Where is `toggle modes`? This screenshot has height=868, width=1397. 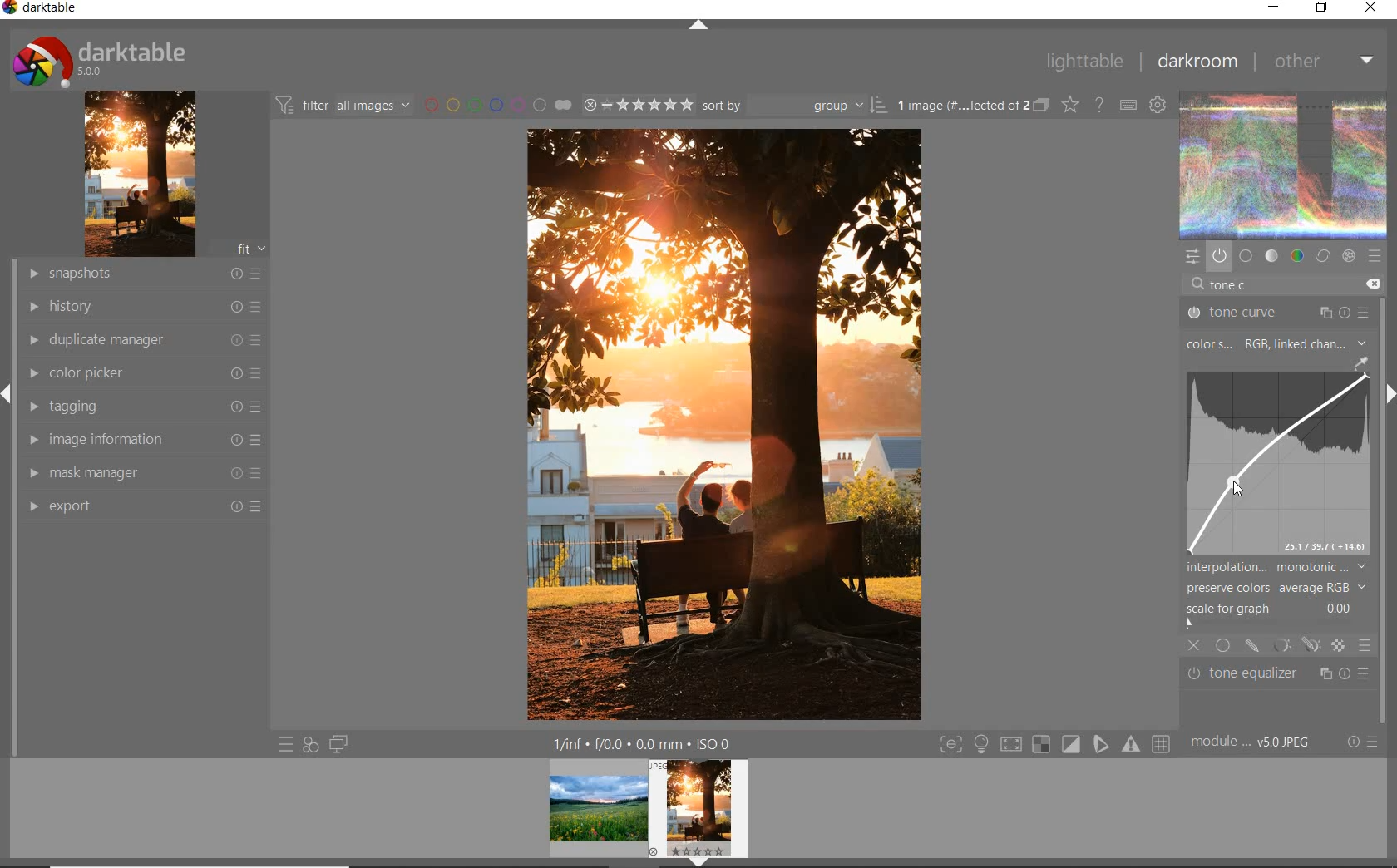
toggle modes is located at coordinates (1054, 746).